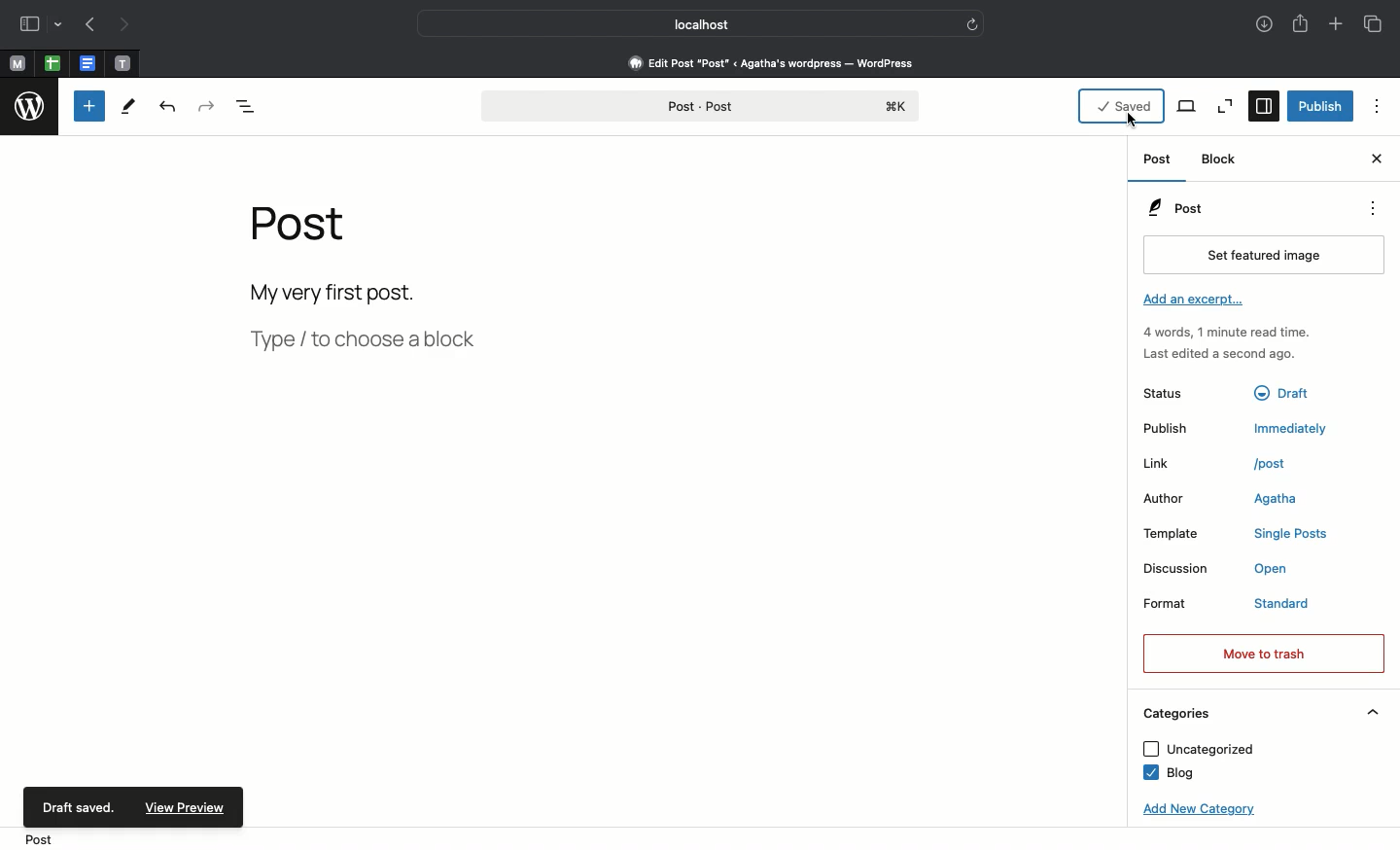 The image size is (1400, 850). What do you see at coordinates (1167, 774) in the screenshot?
I see `Blog` at bounding box center [1167, 774].